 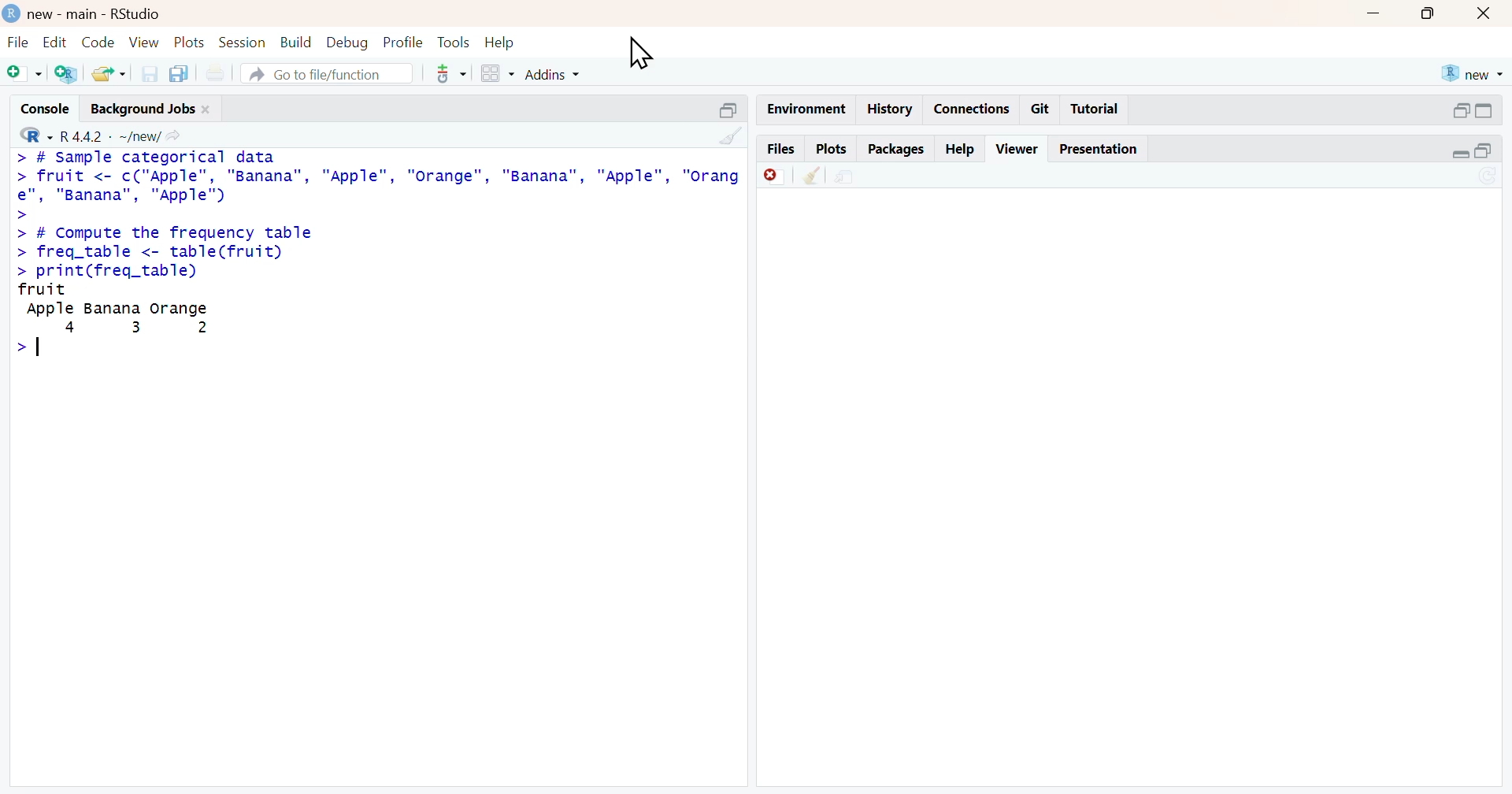 What do you see at coordinates (836, 149) in the screenshot?
I see `plots` at bounding box center [836, 149].